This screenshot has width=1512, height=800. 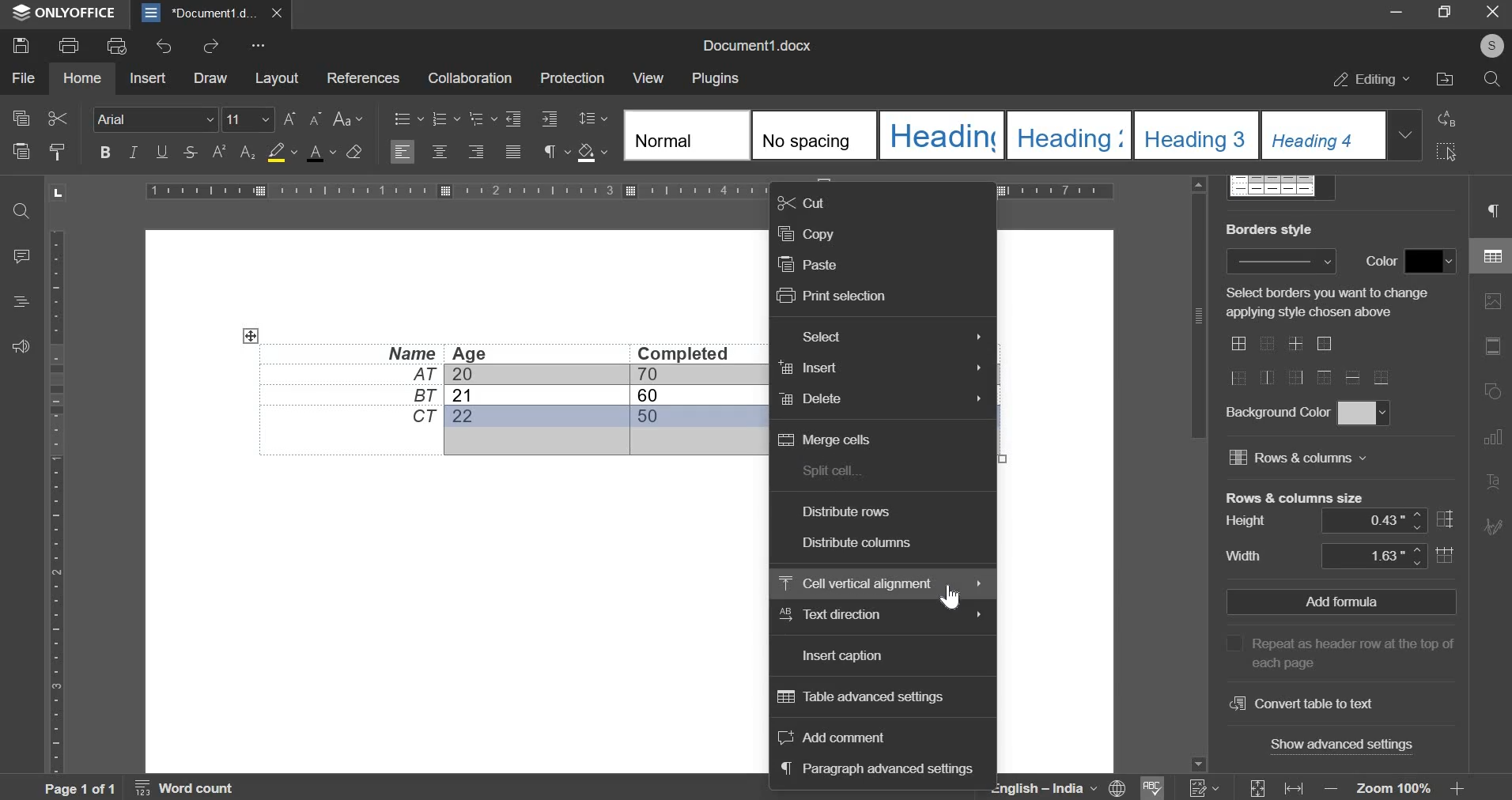 I want to click on distribute columns, so click(x=859, y=543).